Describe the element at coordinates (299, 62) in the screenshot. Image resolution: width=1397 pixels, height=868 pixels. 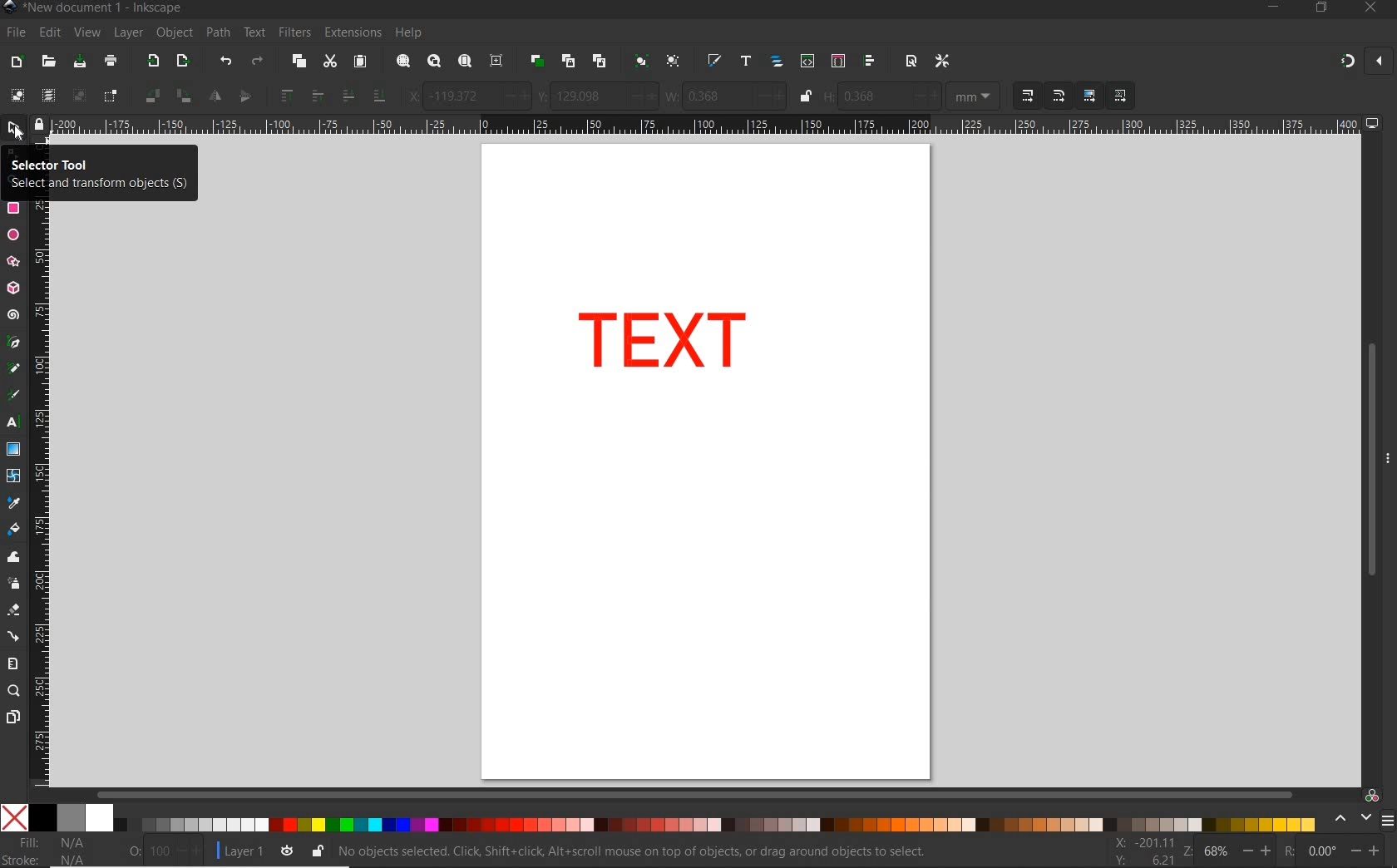
I see `COPY` at that location.